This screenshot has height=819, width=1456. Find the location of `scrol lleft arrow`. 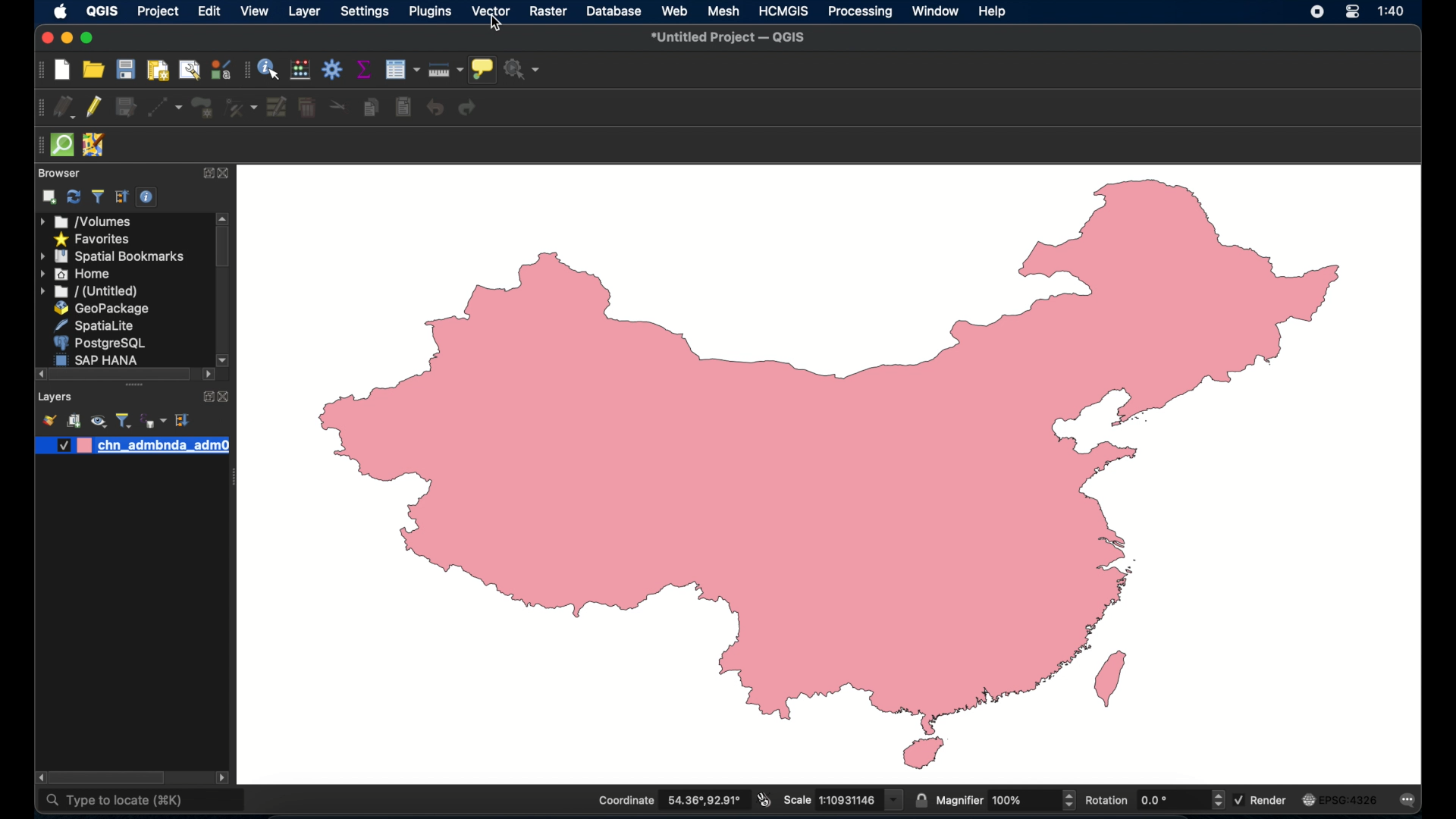

scrol lleft arrow is located at coordinates (207, 376).